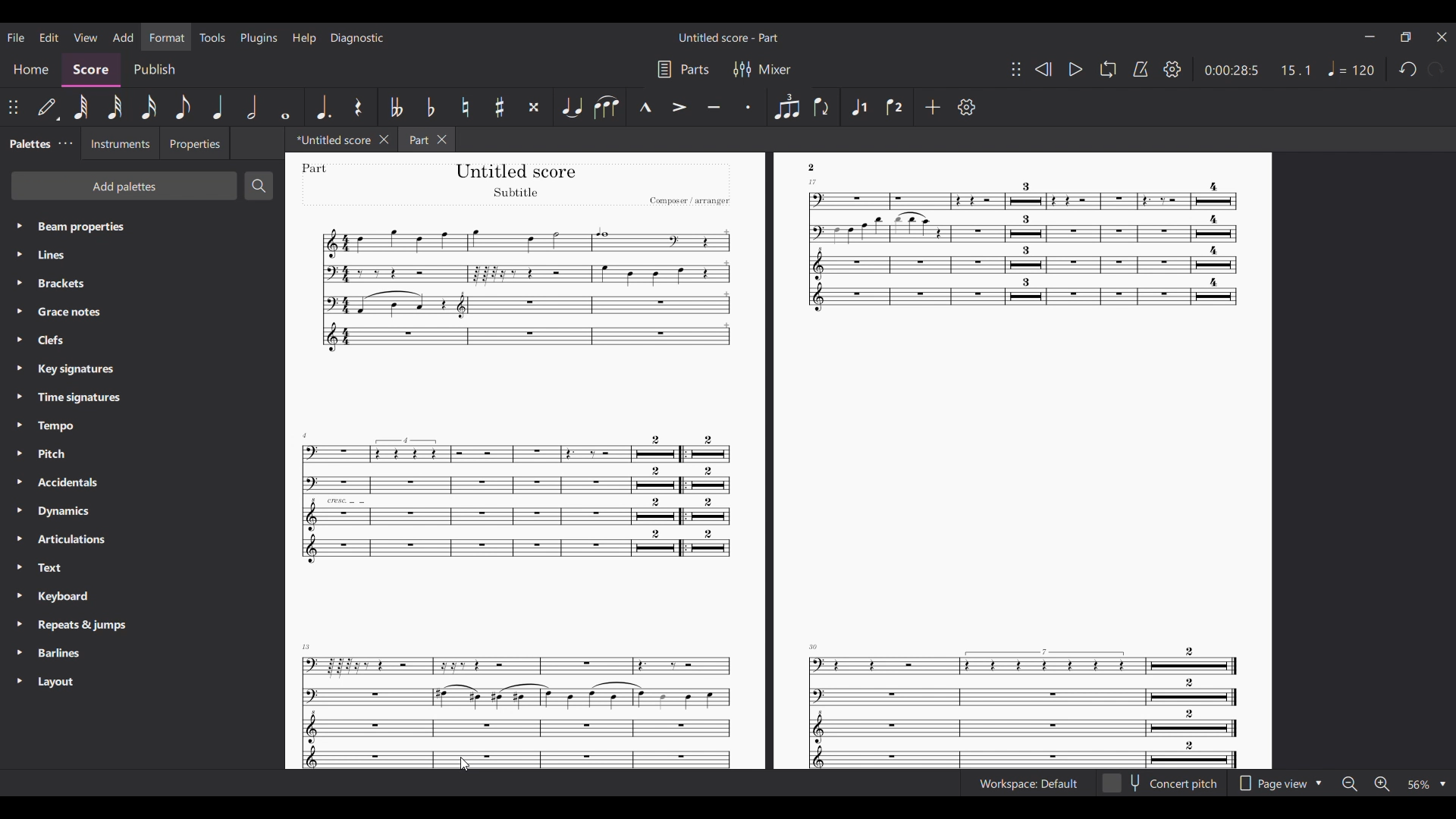  Describe the element at coordinates (81, 107) in the screenshot. I see `64th note` at that location.